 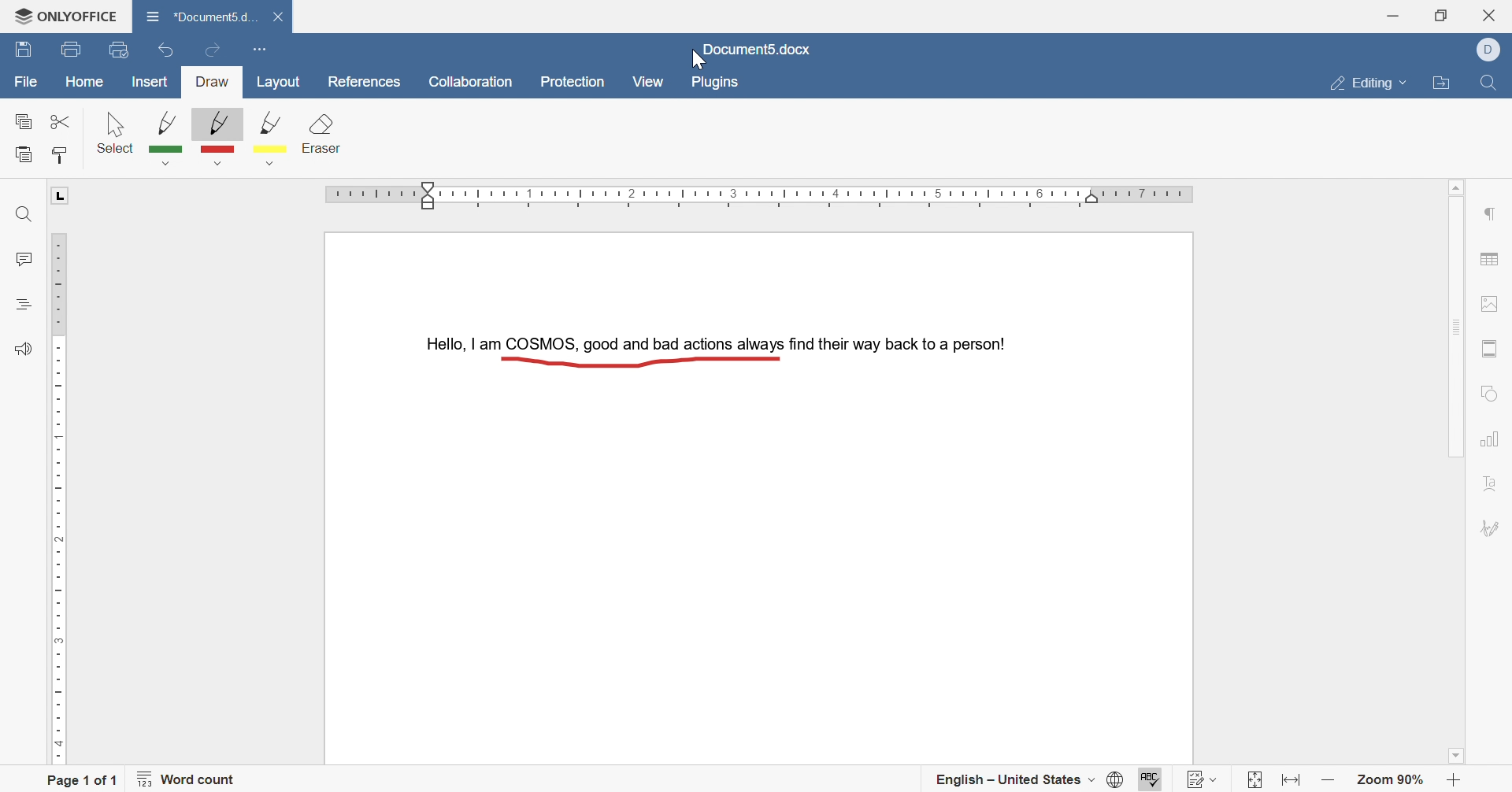 What do you see at coordinates (472, 83) in the screenshot?
I see `collaboration` at bounding box center [472, 83].